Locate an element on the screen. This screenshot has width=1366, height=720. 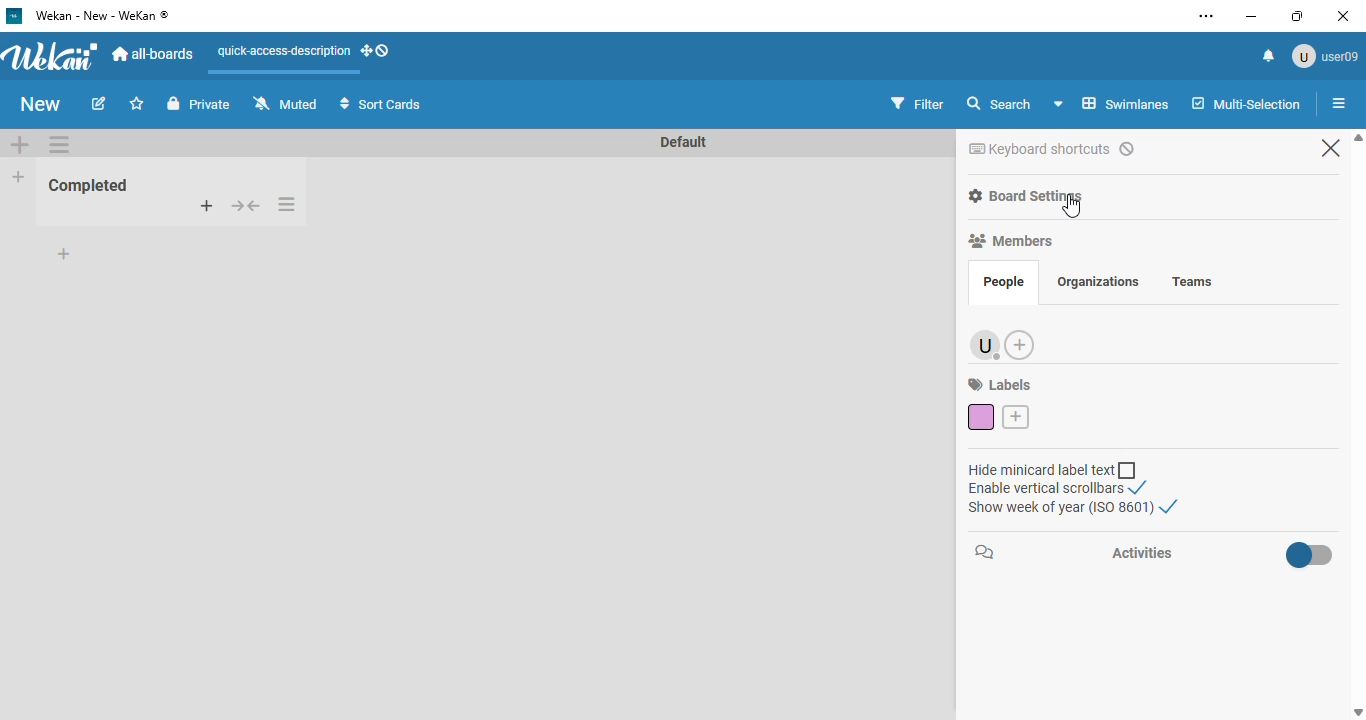
teams is located at coordinates (1192, 282).